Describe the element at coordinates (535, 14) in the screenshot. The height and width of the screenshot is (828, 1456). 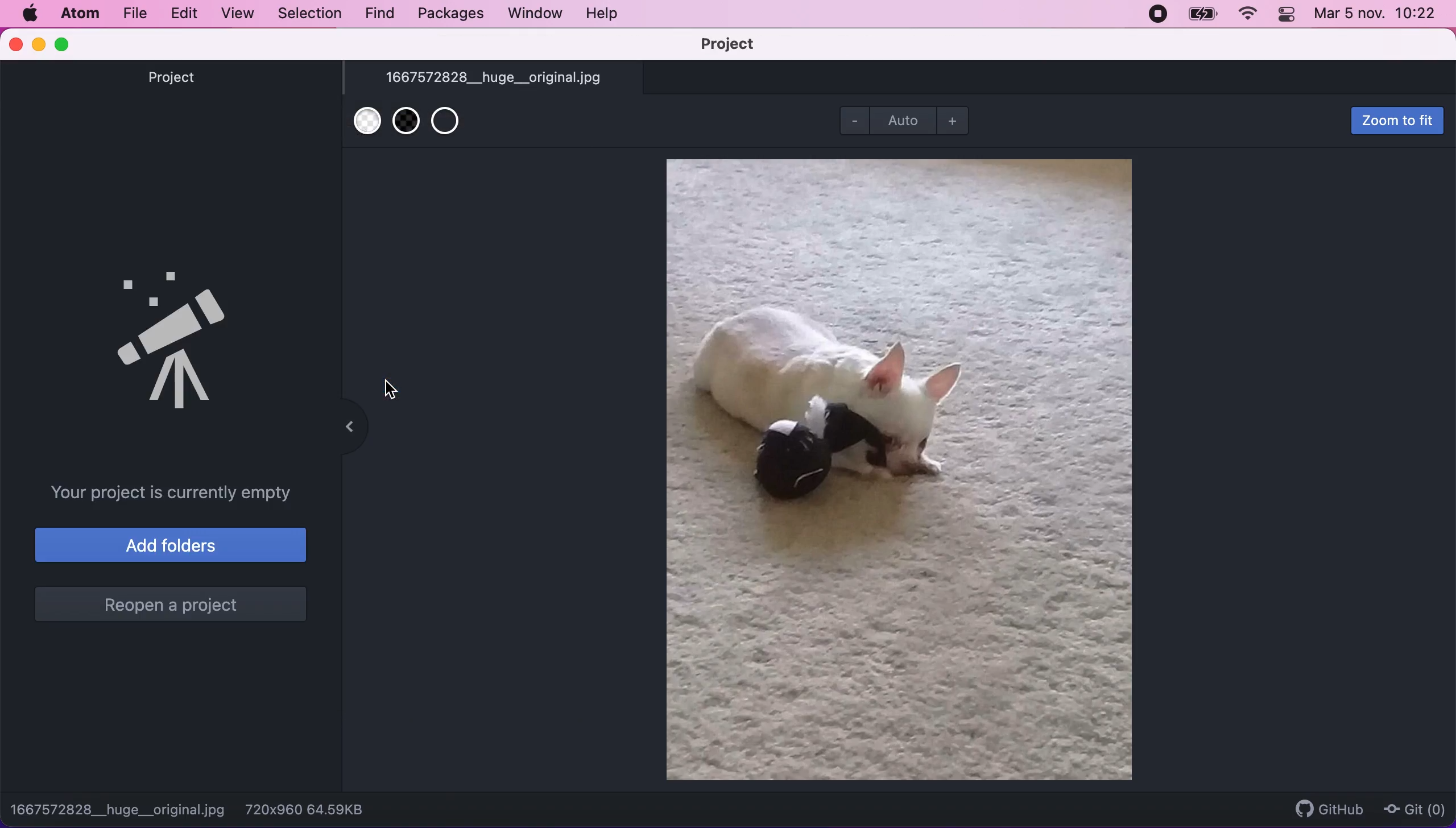
I see `window` at that location.